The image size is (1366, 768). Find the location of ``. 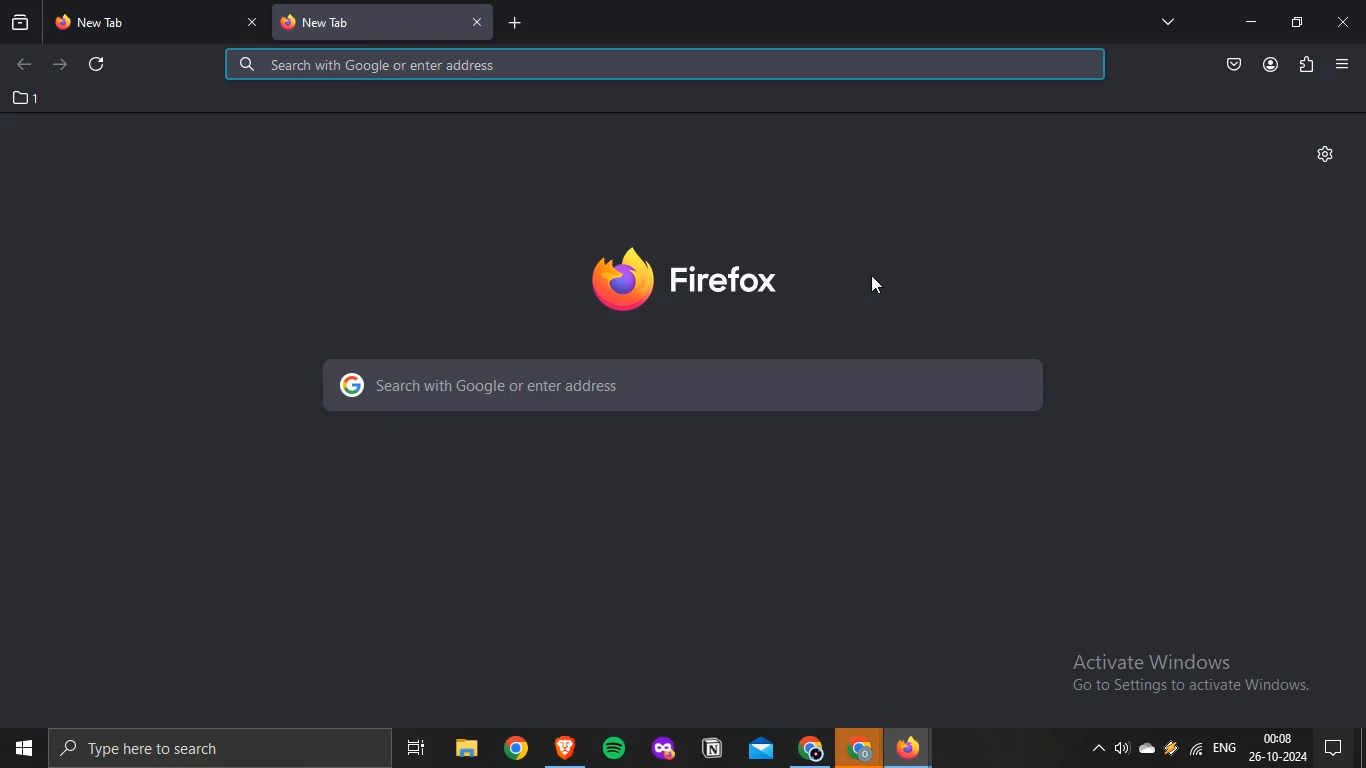

 is located at coordinates (1341, 64).